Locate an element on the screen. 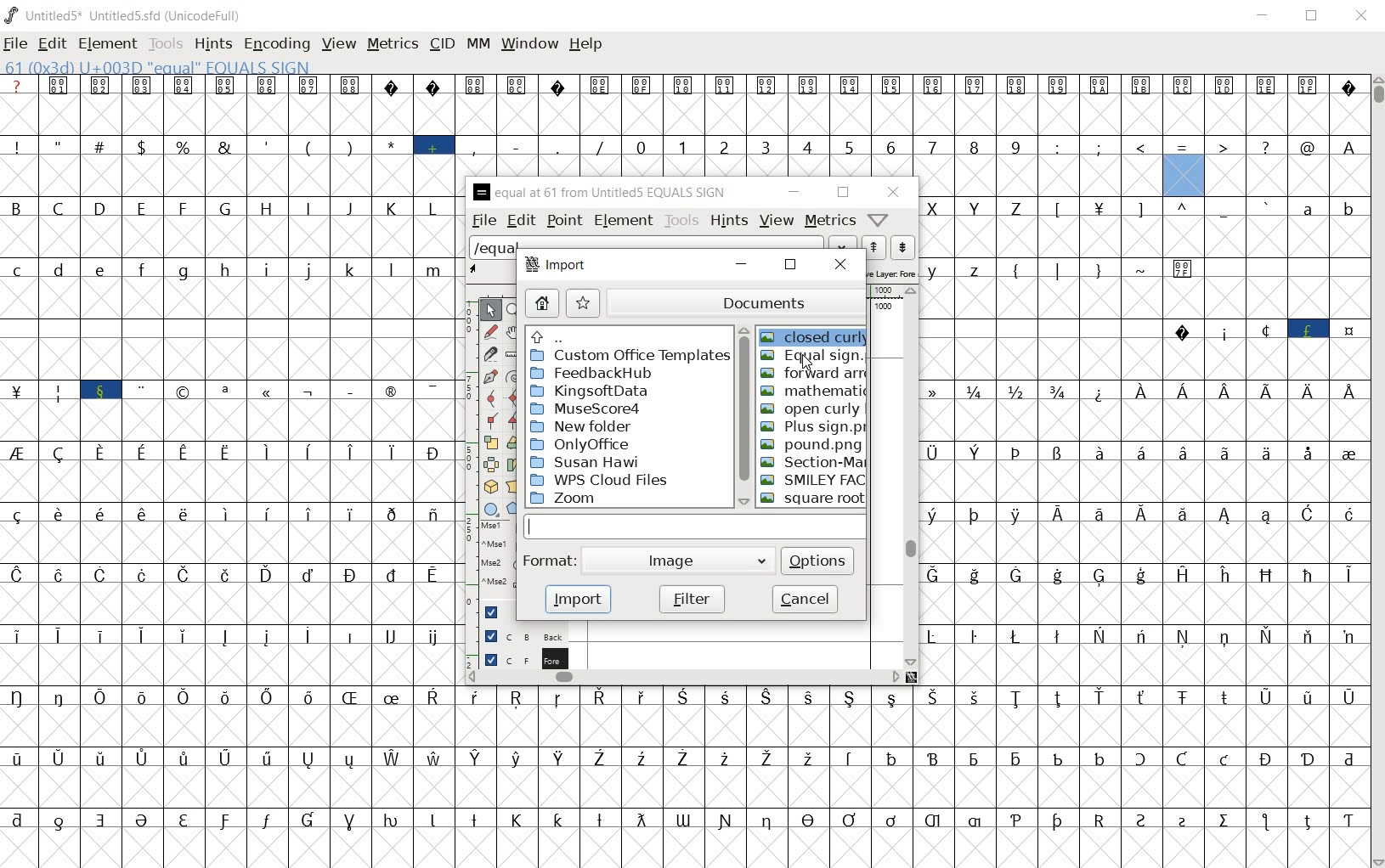  PLUS SIGN.PNG is located at coordinates (816, 426).